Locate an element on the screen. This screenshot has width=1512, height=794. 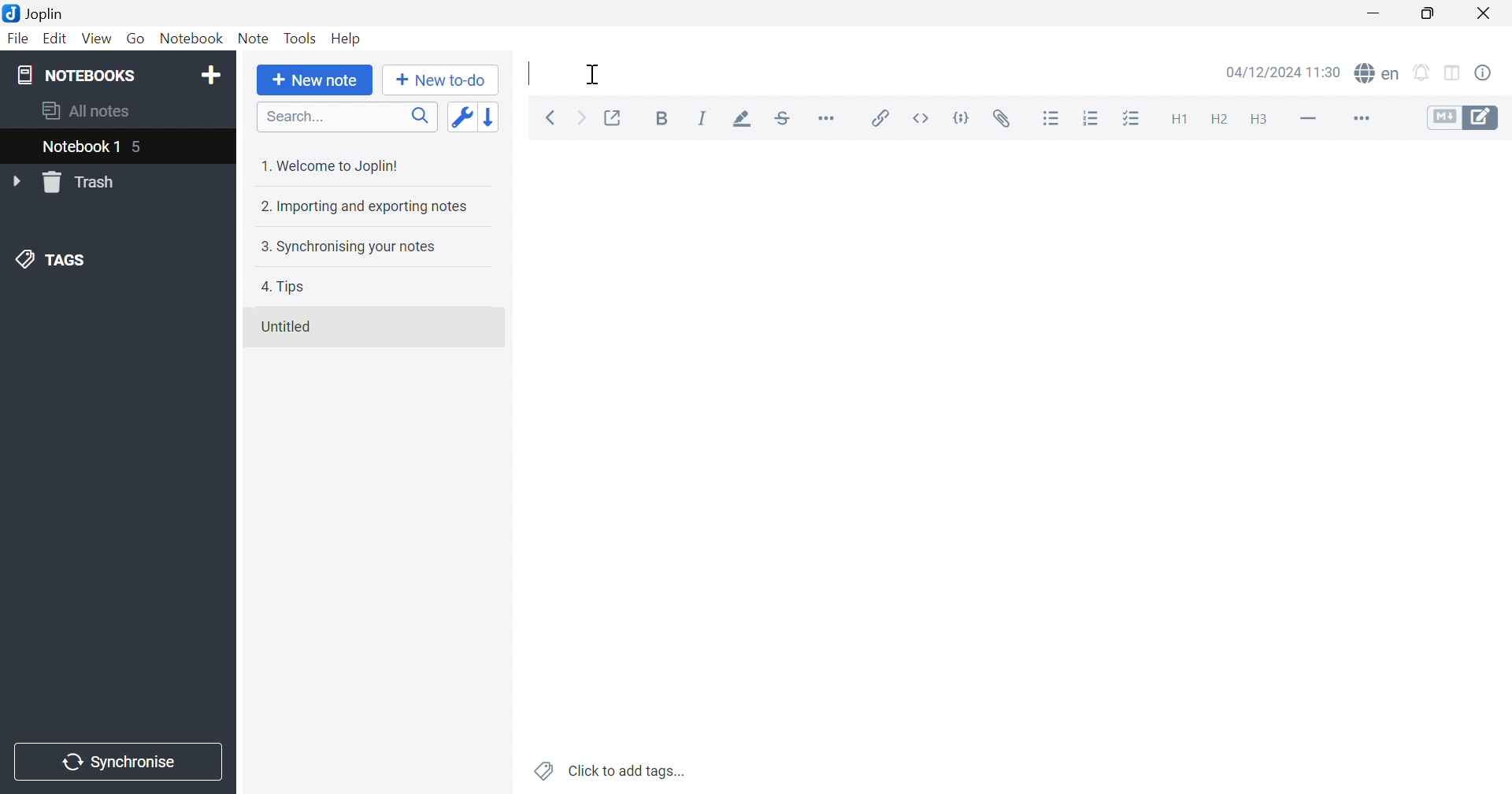
Help is located at coordinates (347, 36).